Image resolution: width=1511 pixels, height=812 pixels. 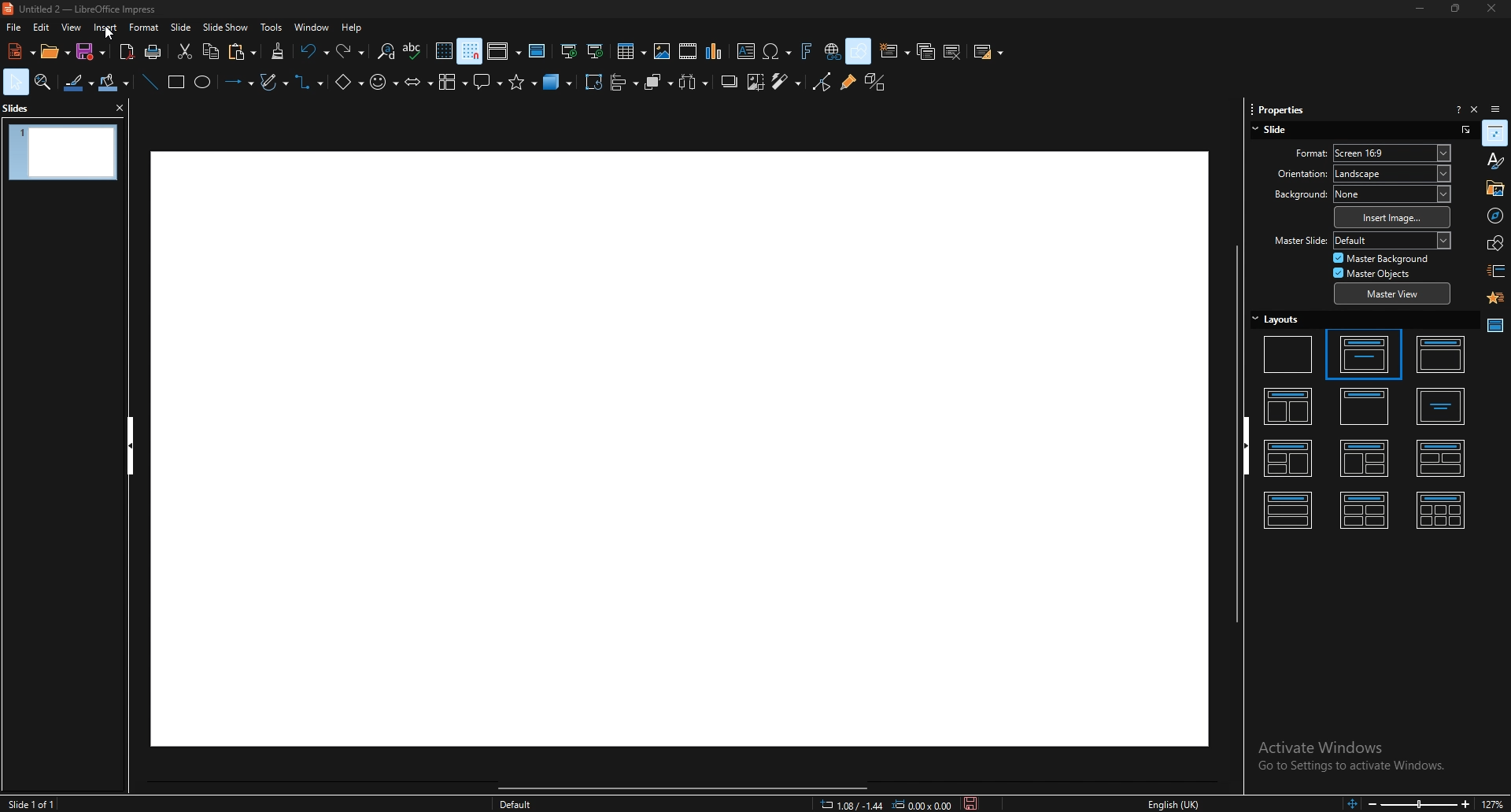 What do you see at coordinates (386, 51) in the screenshot?
I see `find and replace` at bounding box center [386, 51].